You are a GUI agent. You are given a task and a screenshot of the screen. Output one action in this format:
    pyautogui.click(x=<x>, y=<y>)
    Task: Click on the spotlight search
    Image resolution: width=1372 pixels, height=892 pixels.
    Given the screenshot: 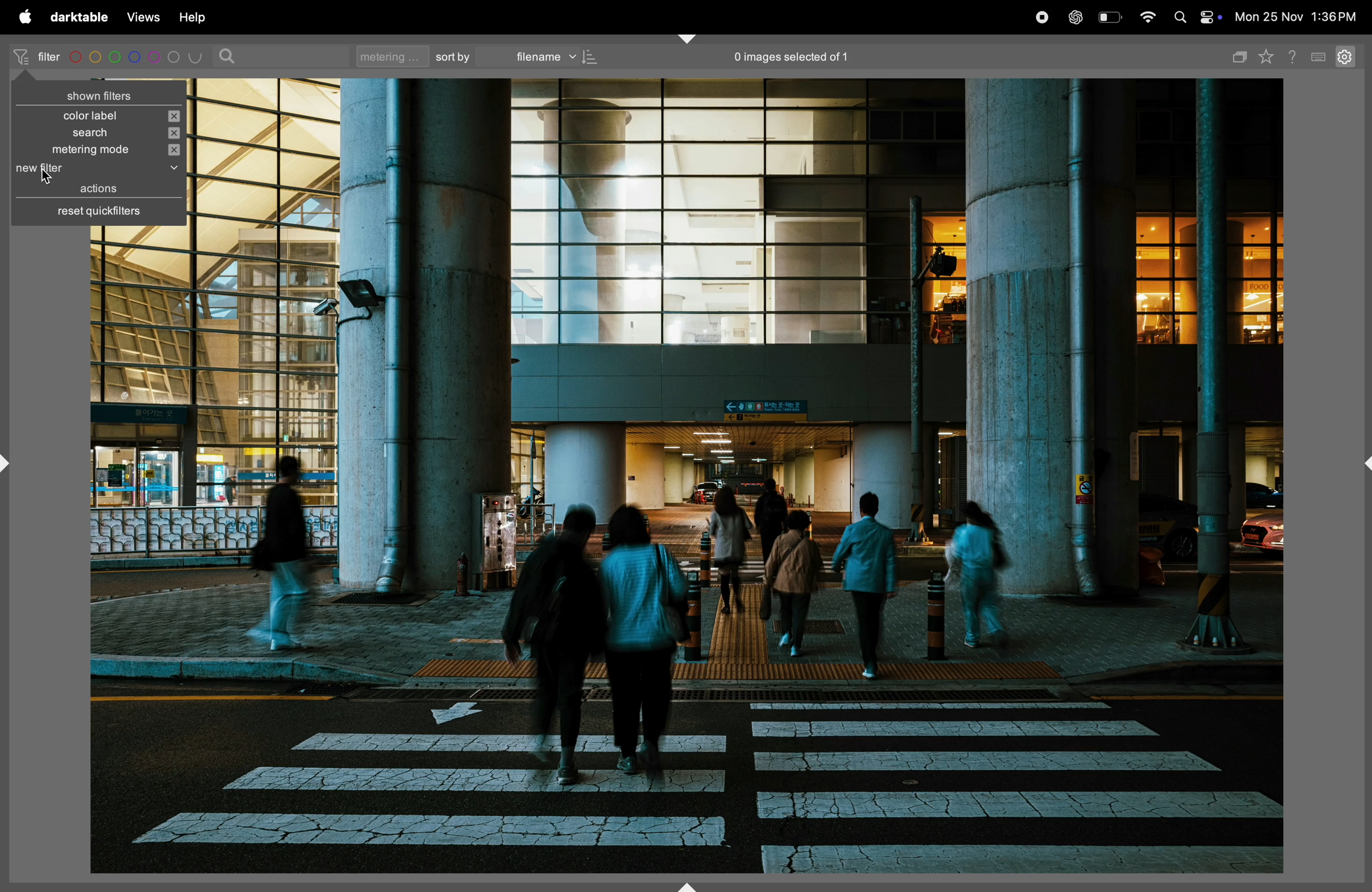 What is the action you would take?
    pyautogui.click(x=1181, y=16)
    